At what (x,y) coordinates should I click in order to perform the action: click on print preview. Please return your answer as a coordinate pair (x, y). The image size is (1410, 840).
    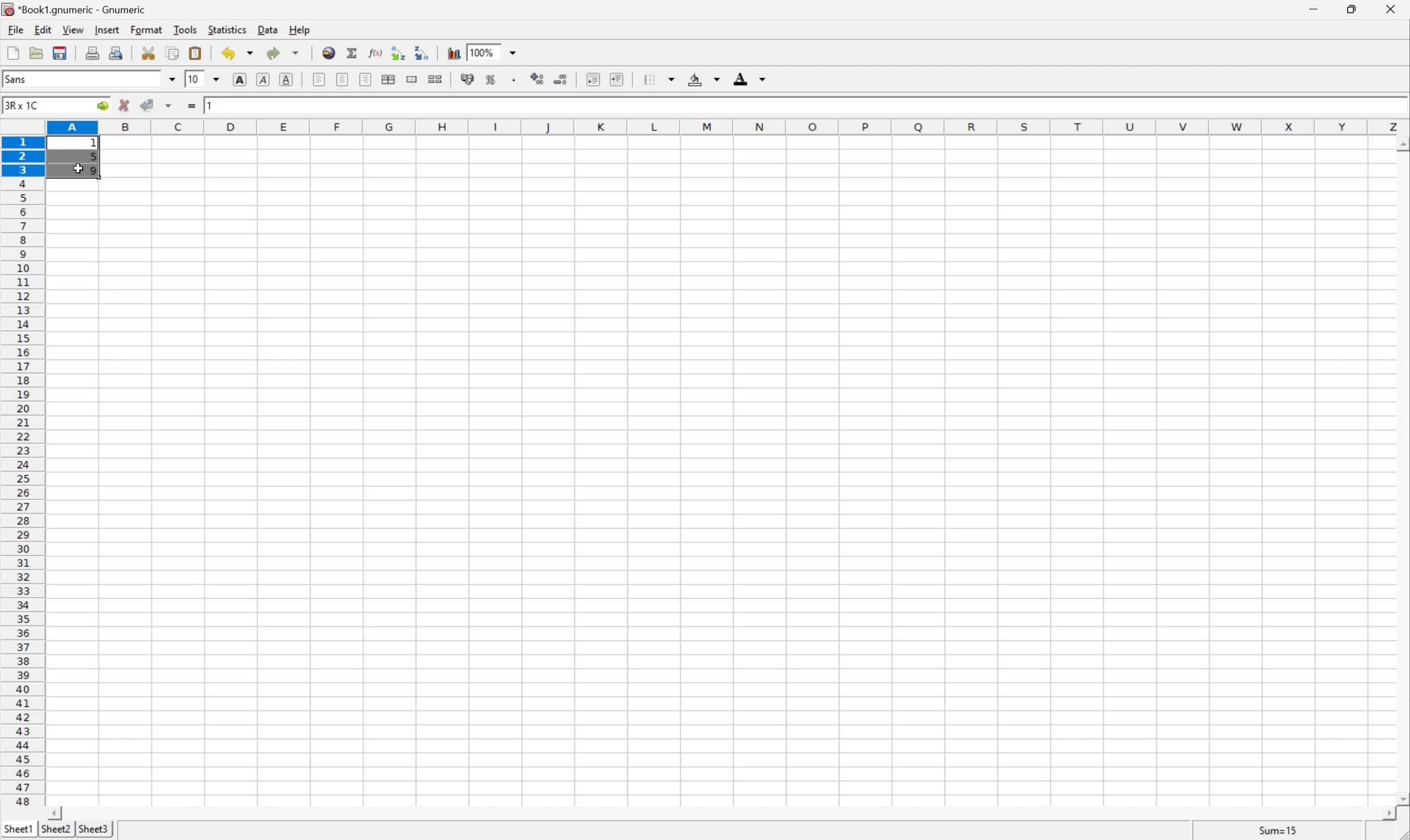
    Looking at the image, I should click on (116, 52).